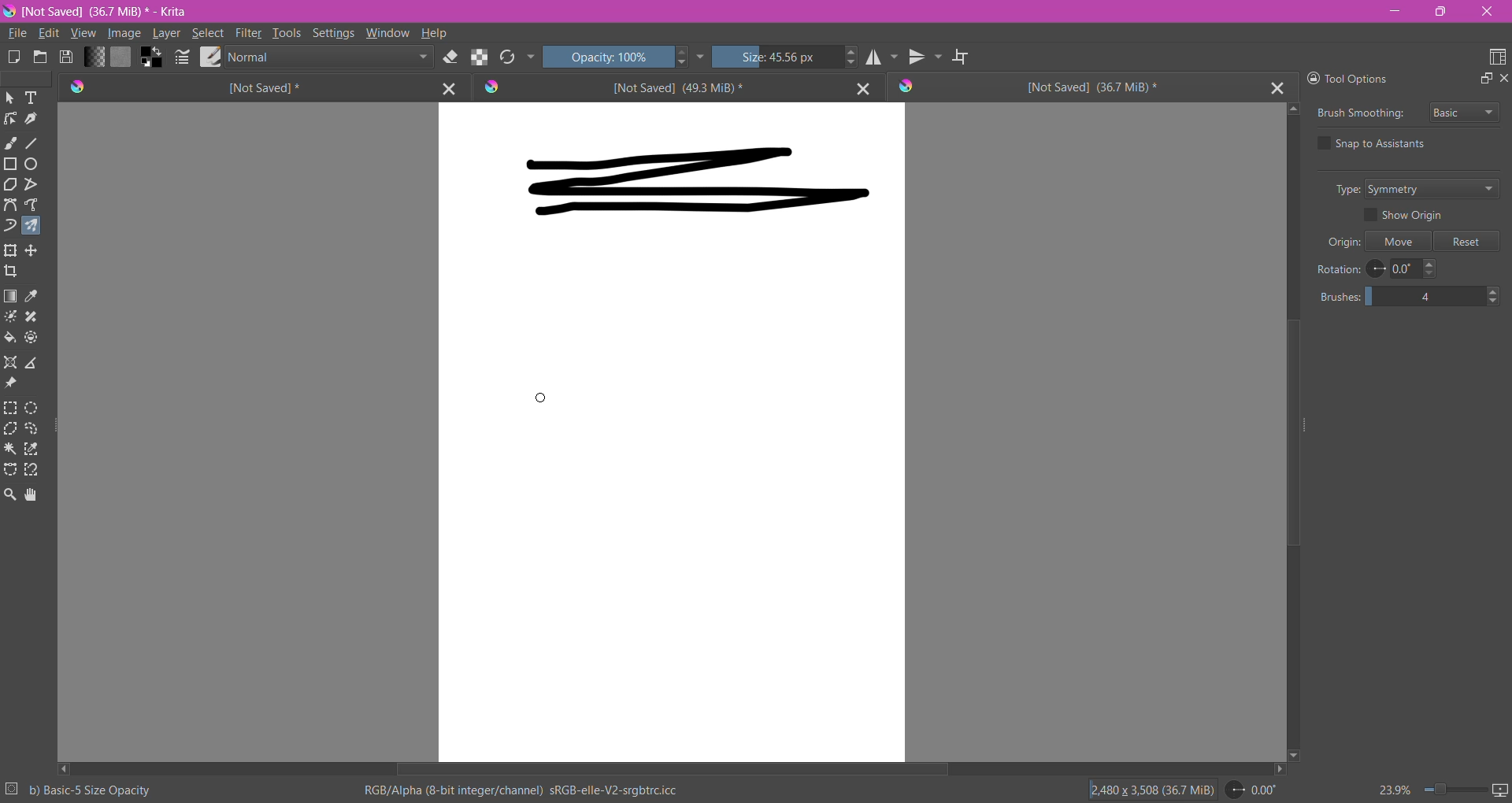 This screenshot has height=803, width=1512. I want to click on View, so click(82, 35).